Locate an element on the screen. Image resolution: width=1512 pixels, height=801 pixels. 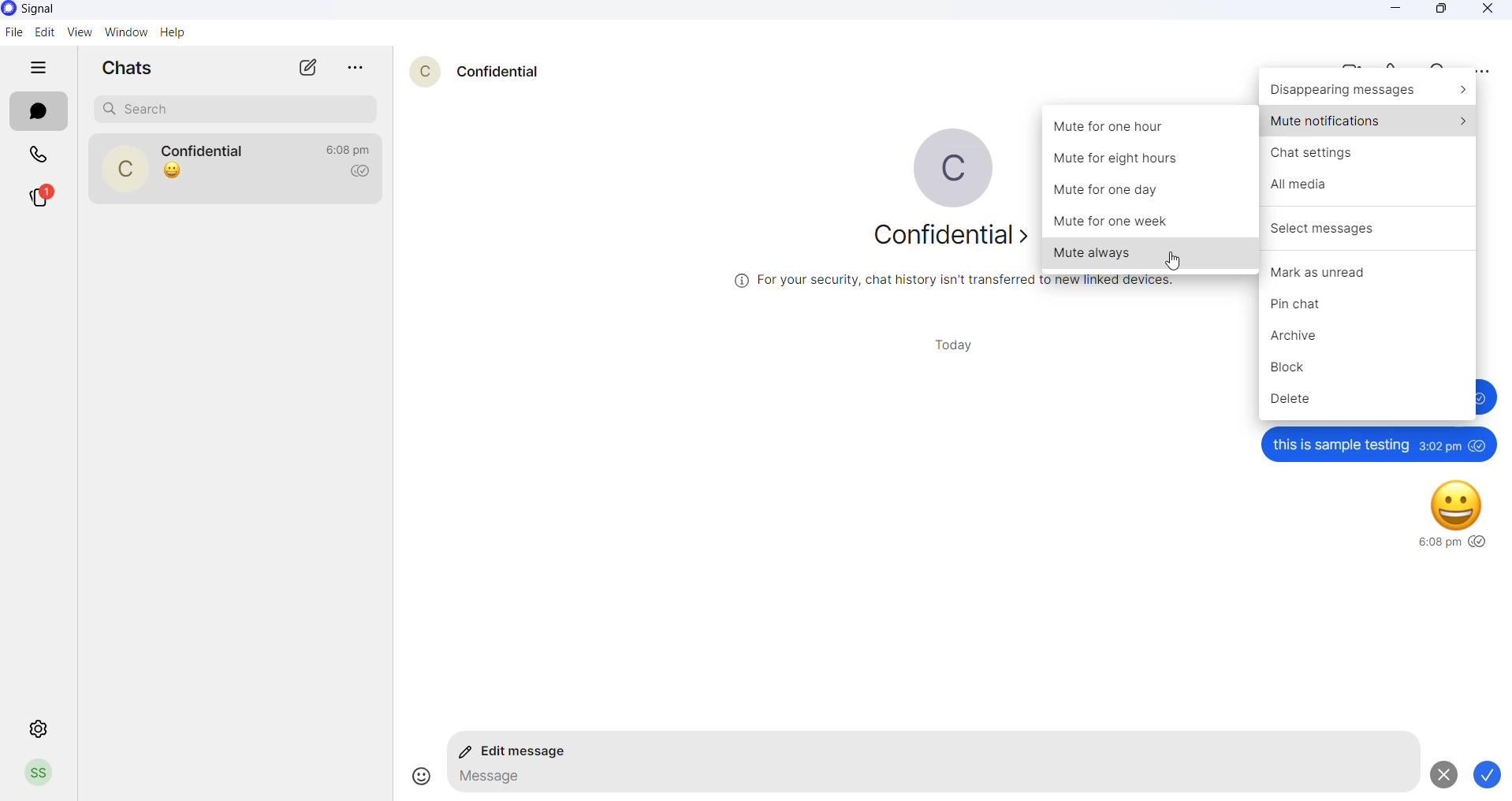
message text area is located at coordinates (926, 781).